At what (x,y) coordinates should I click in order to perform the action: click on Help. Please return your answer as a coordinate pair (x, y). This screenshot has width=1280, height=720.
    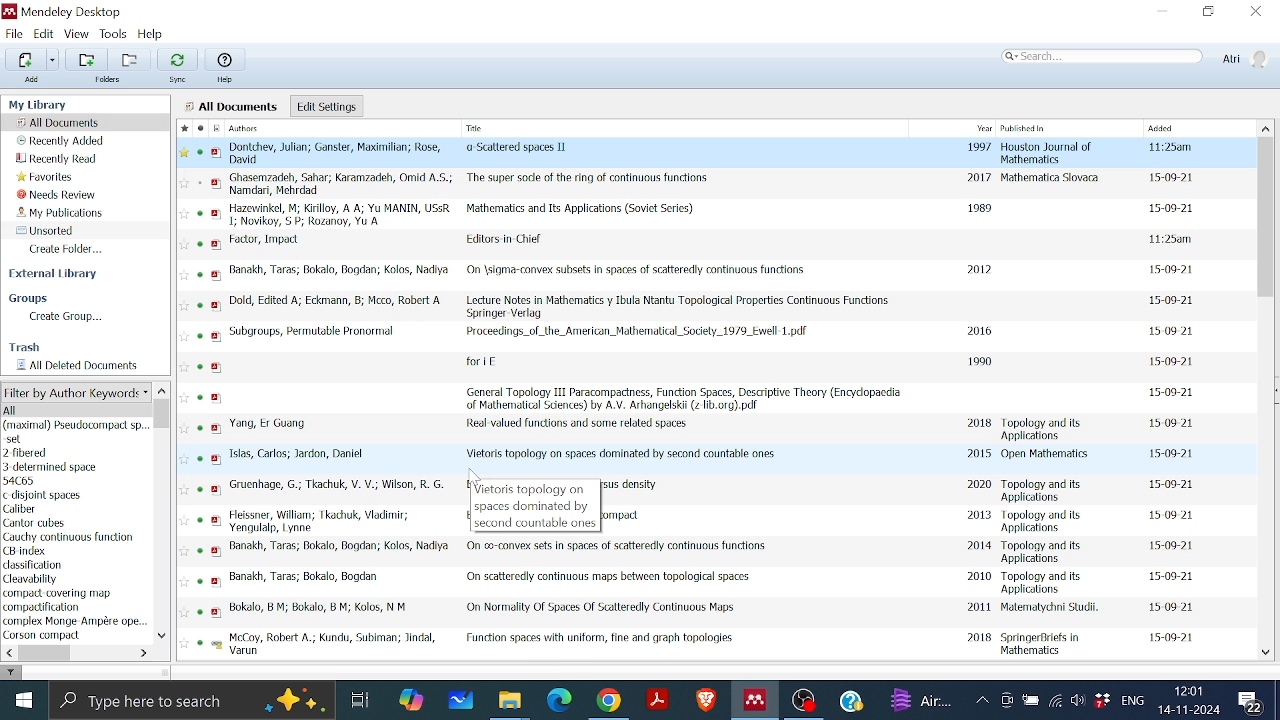
    Looking at the image, I should click on (153, 34).